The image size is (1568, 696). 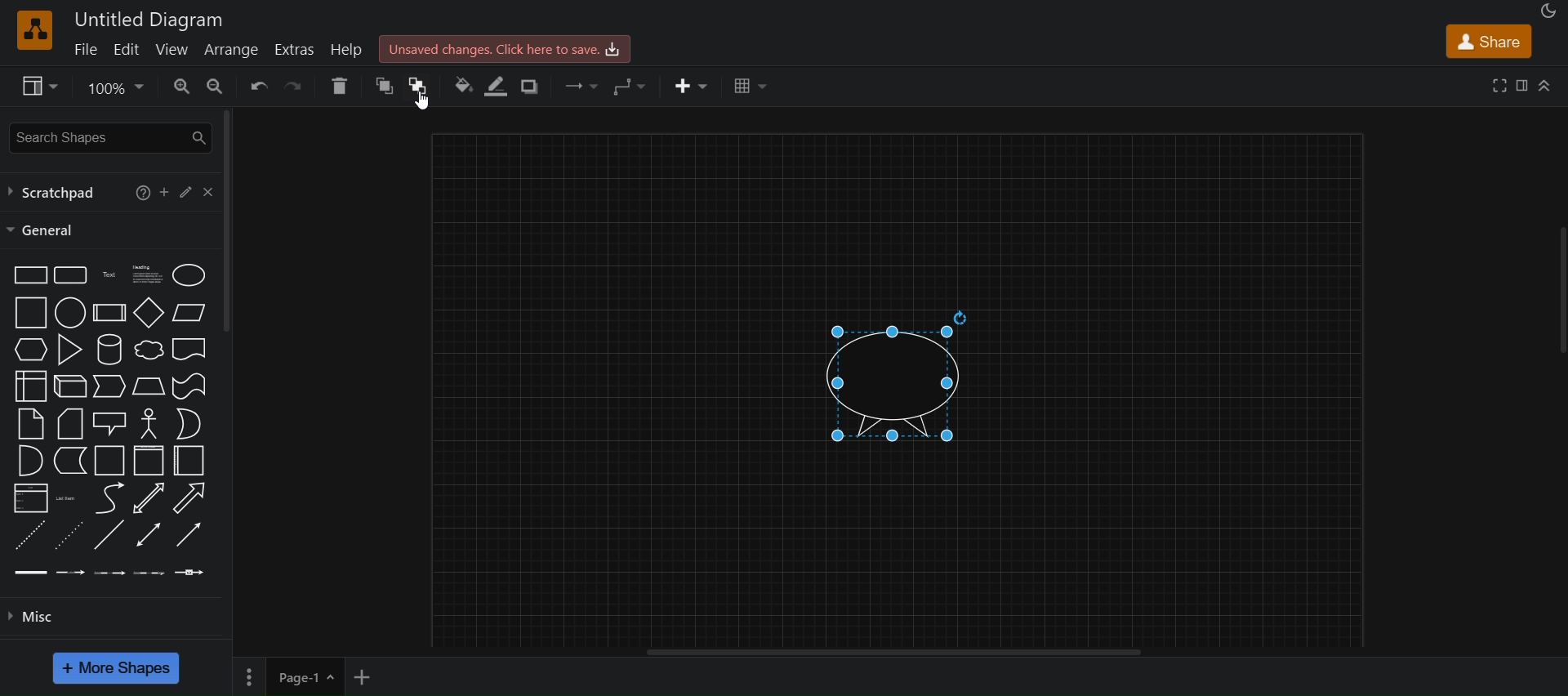 I want to click on click here to to save, so click(x=505, y=47).